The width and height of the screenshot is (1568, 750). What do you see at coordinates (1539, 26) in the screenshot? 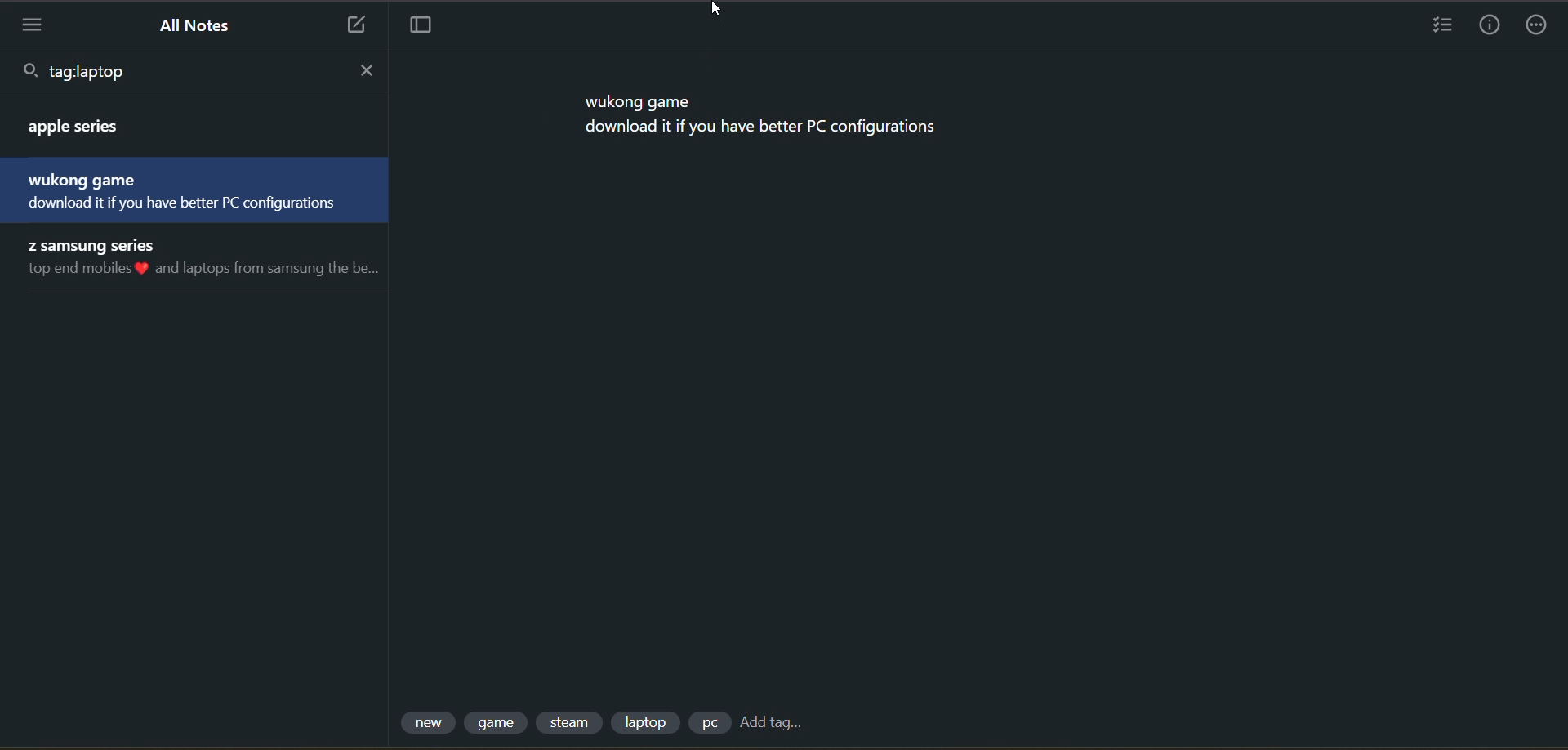
I see `actions` at bounding box center [1539, 26].